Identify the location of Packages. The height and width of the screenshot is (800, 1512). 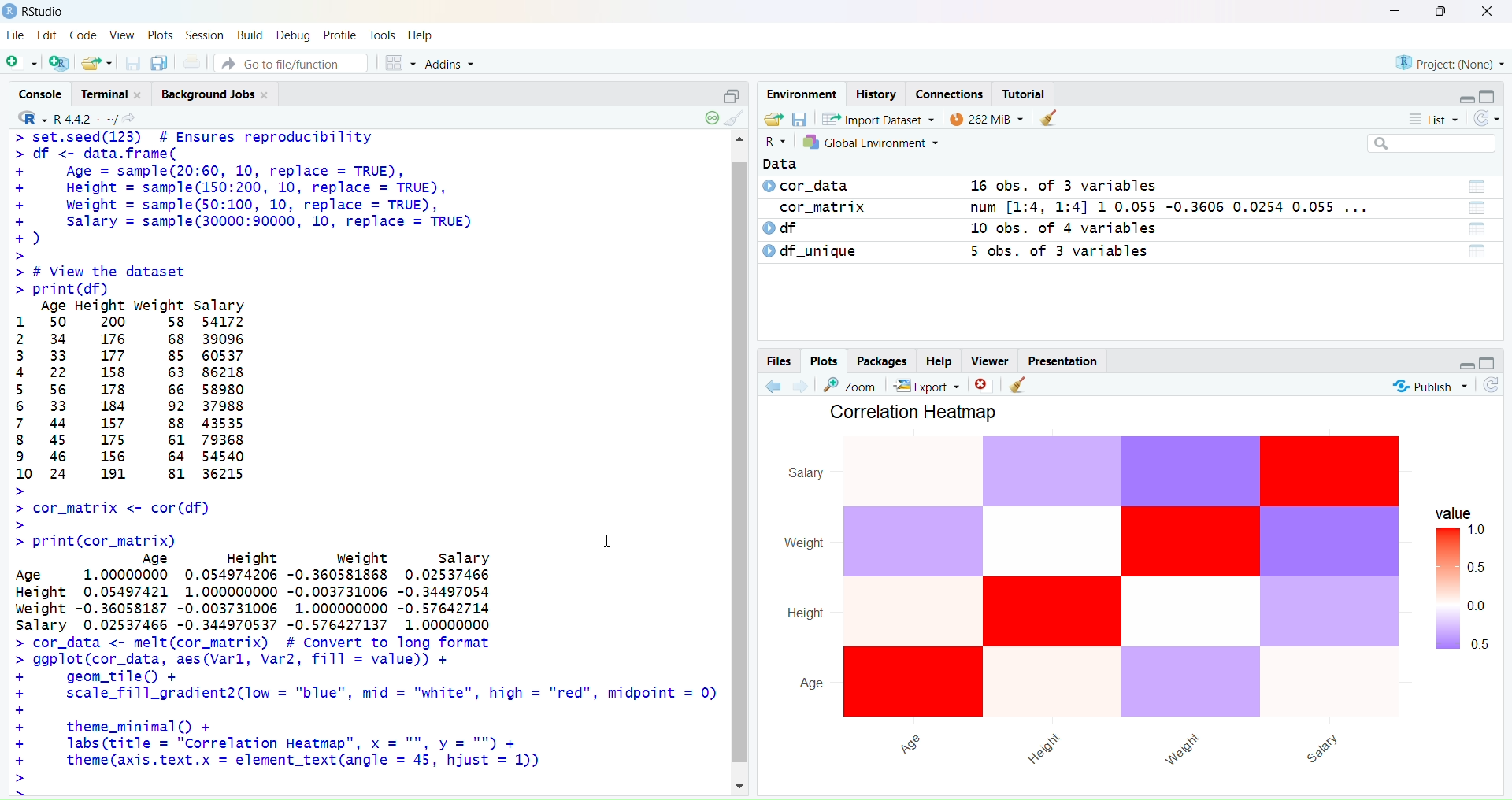
(882, 361).